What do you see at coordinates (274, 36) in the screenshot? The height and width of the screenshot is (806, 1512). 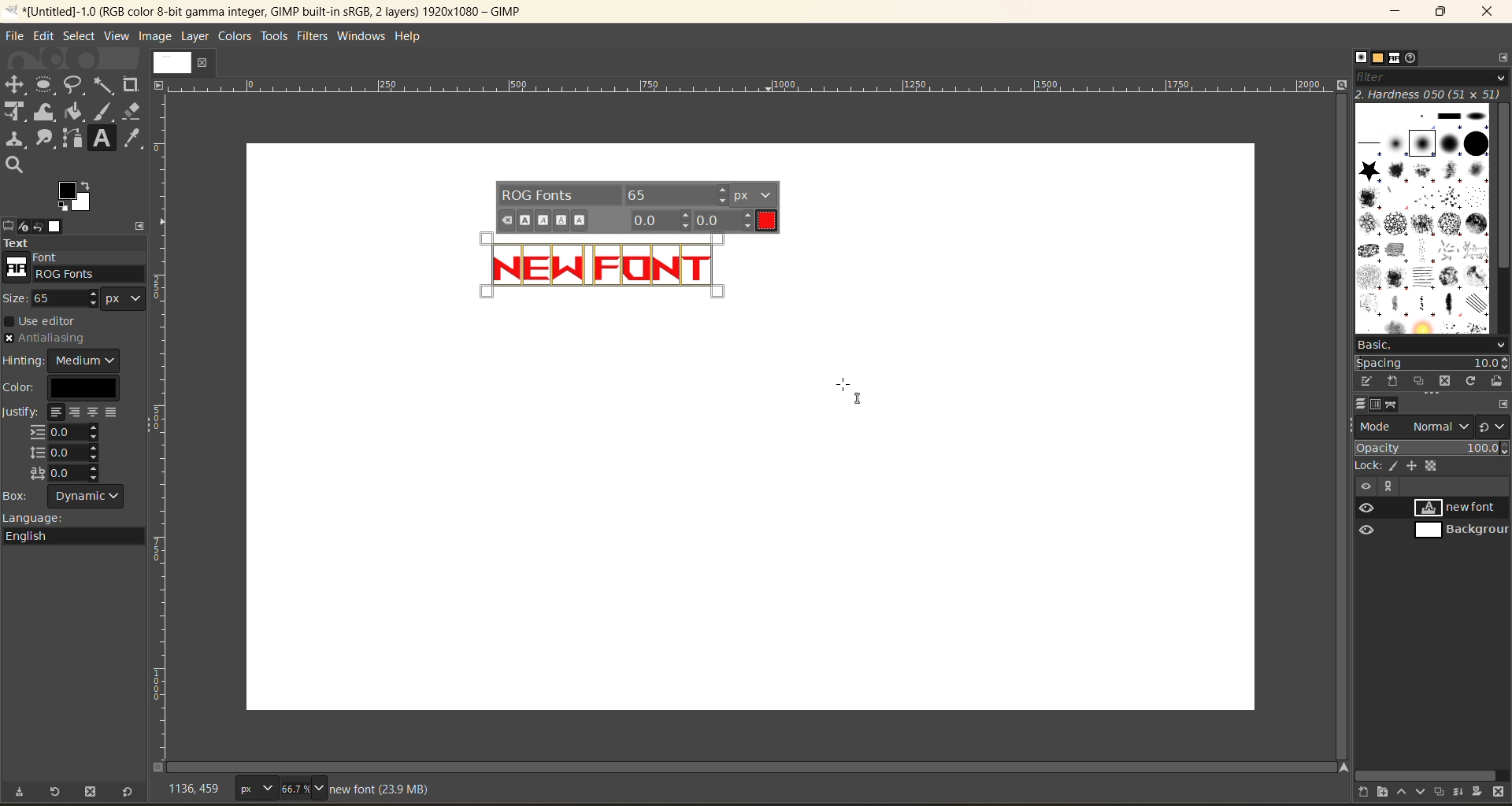 I see `tools` at bounding box center [274, 36].